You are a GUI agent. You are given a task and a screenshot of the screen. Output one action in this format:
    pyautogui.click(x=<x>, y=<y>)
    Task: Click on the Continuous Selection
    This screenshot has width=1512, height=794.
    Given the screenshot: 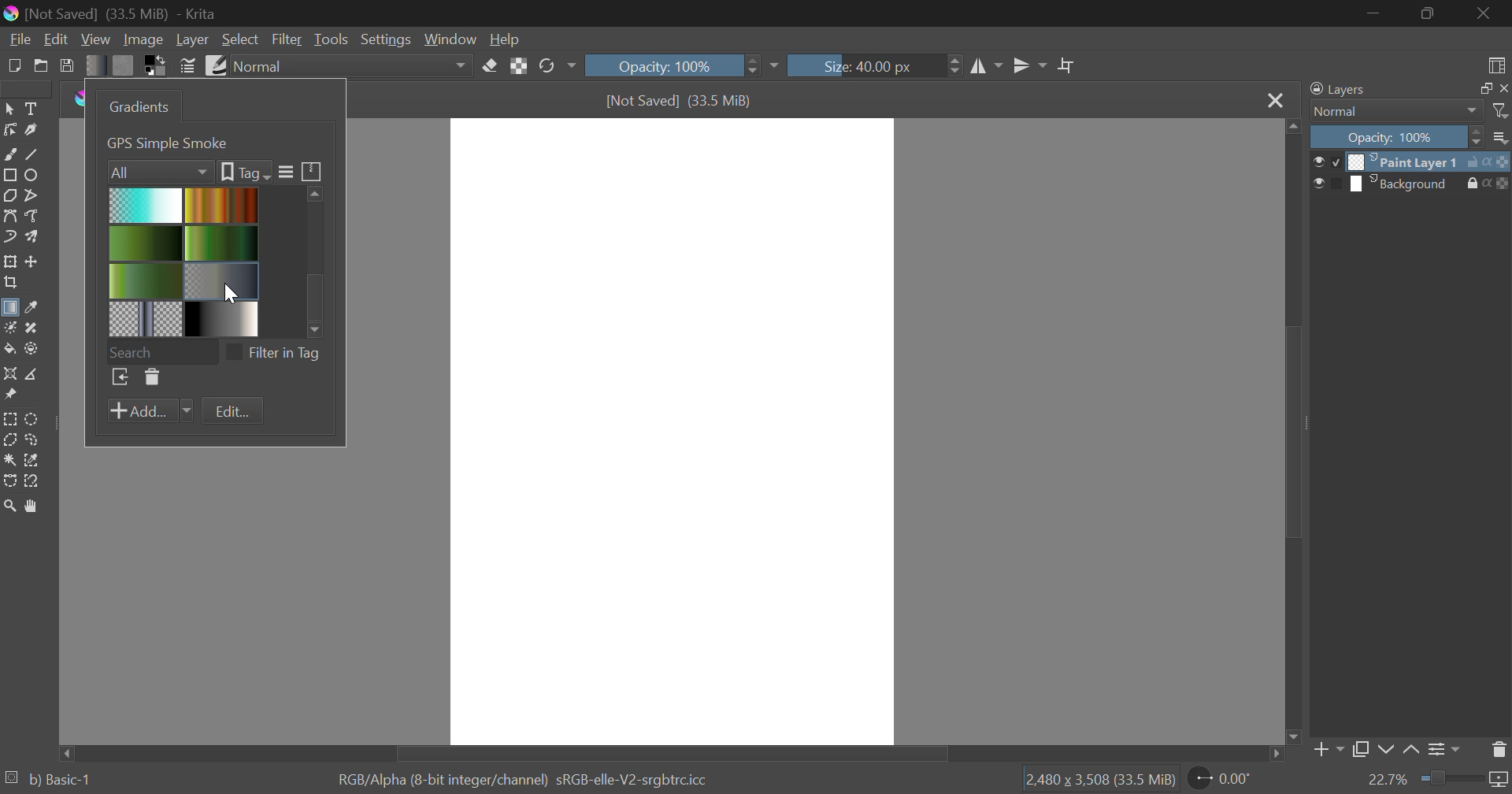 What is the action you would take?
    pyautogui.click(x=9, y=459)
    